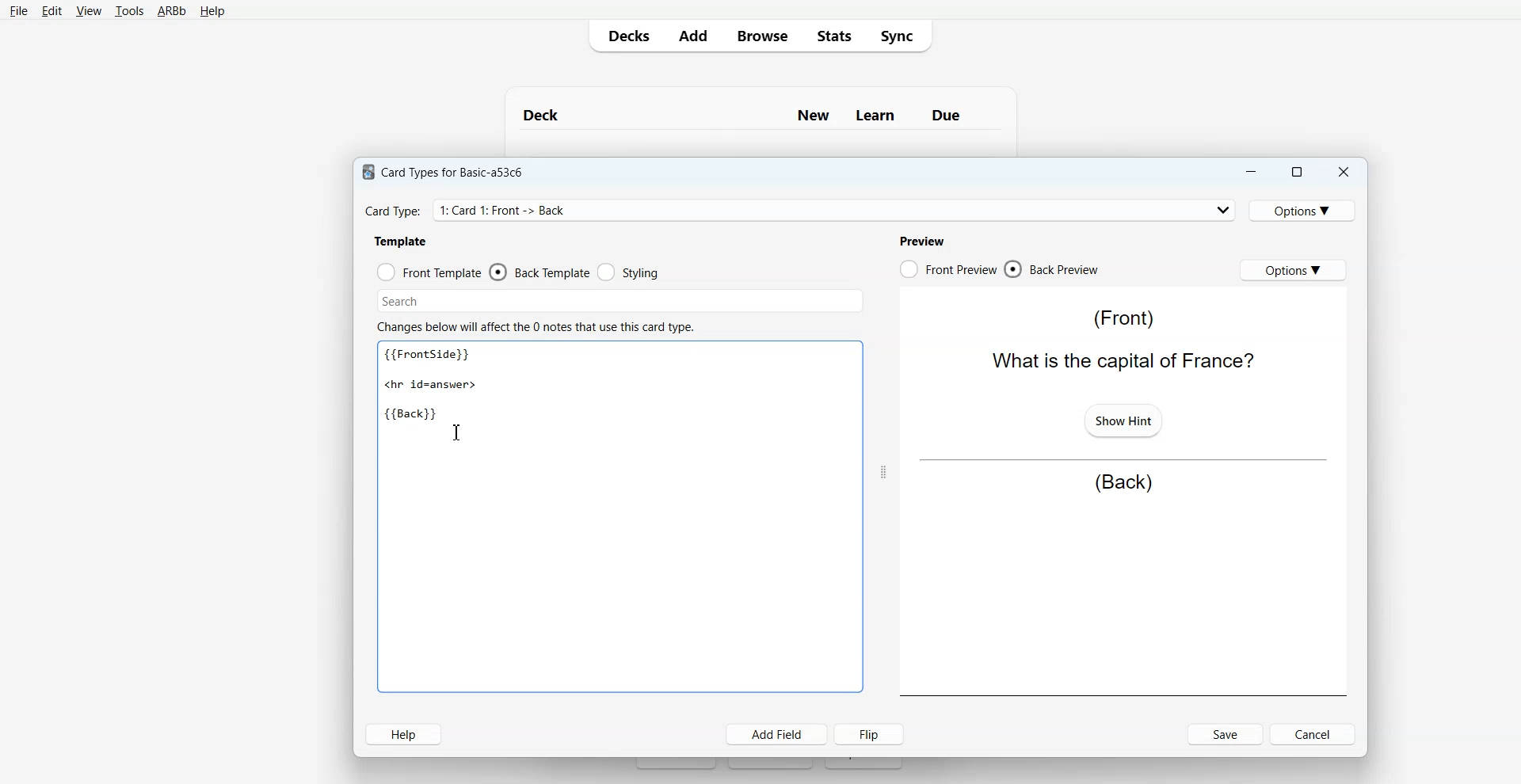 The width and height of the screenshot is (1521, 784). I want to click on Template, so click(402, 241).